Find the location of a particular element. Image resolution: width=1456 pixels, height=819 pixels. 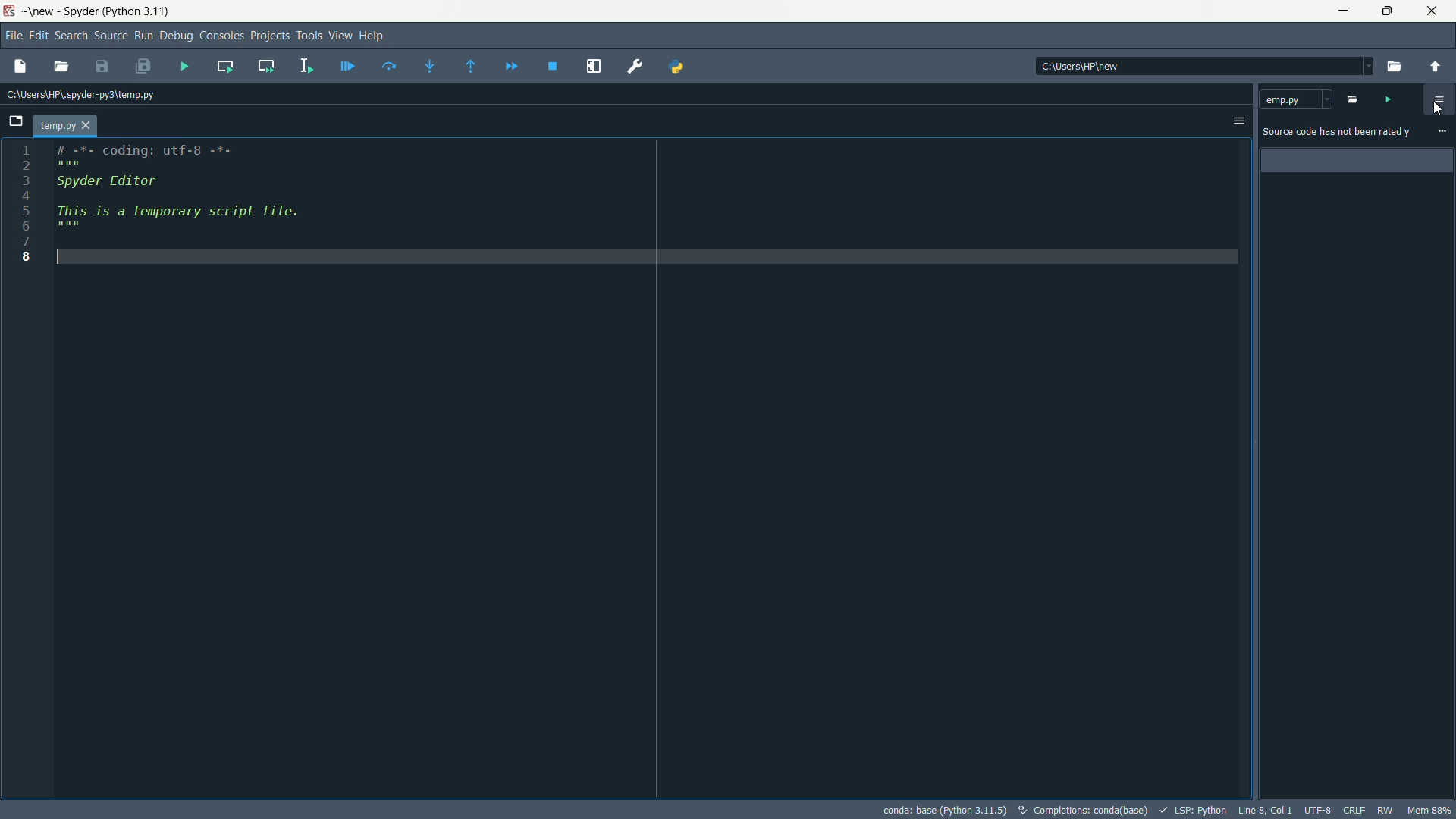

open file is located at coordinates (61, 67).